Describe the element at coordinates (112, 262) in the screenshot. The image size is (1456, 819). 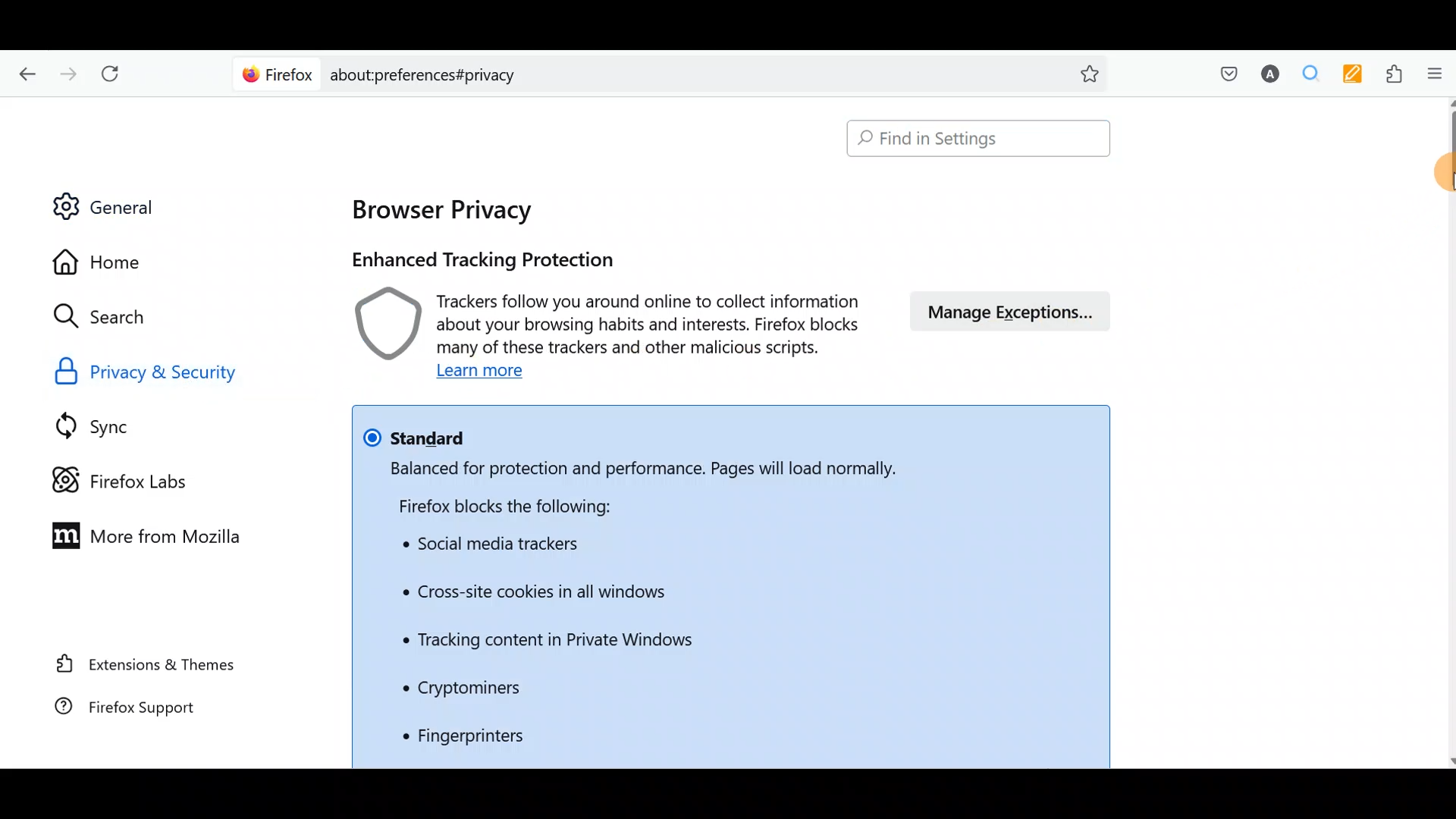
I see `Home` at that location.